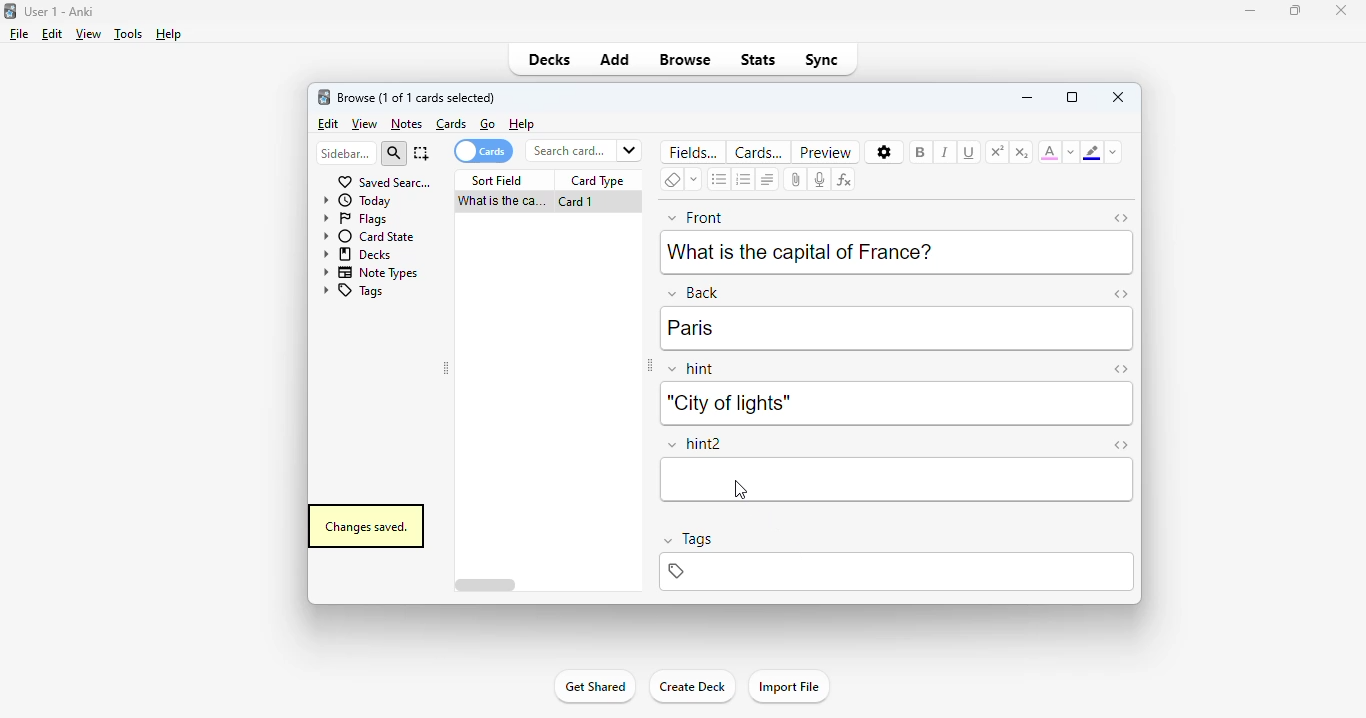 The image size is (1366, 718). Describe the element at coordinates (692, 370) in the screenshot. I see `hint` at that location.